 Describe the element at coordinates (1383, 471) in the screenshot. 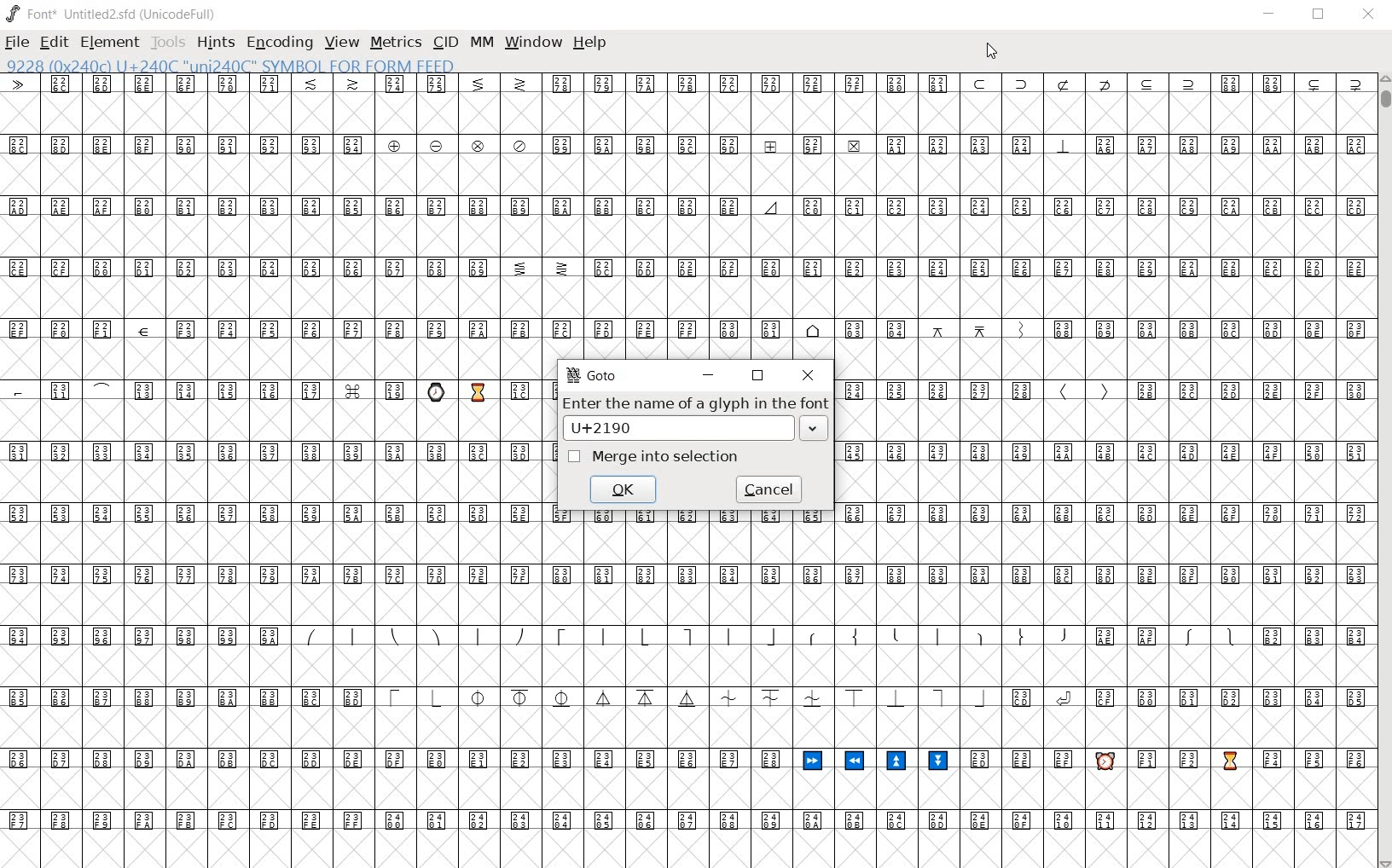

I see `scrollbar` at that location.